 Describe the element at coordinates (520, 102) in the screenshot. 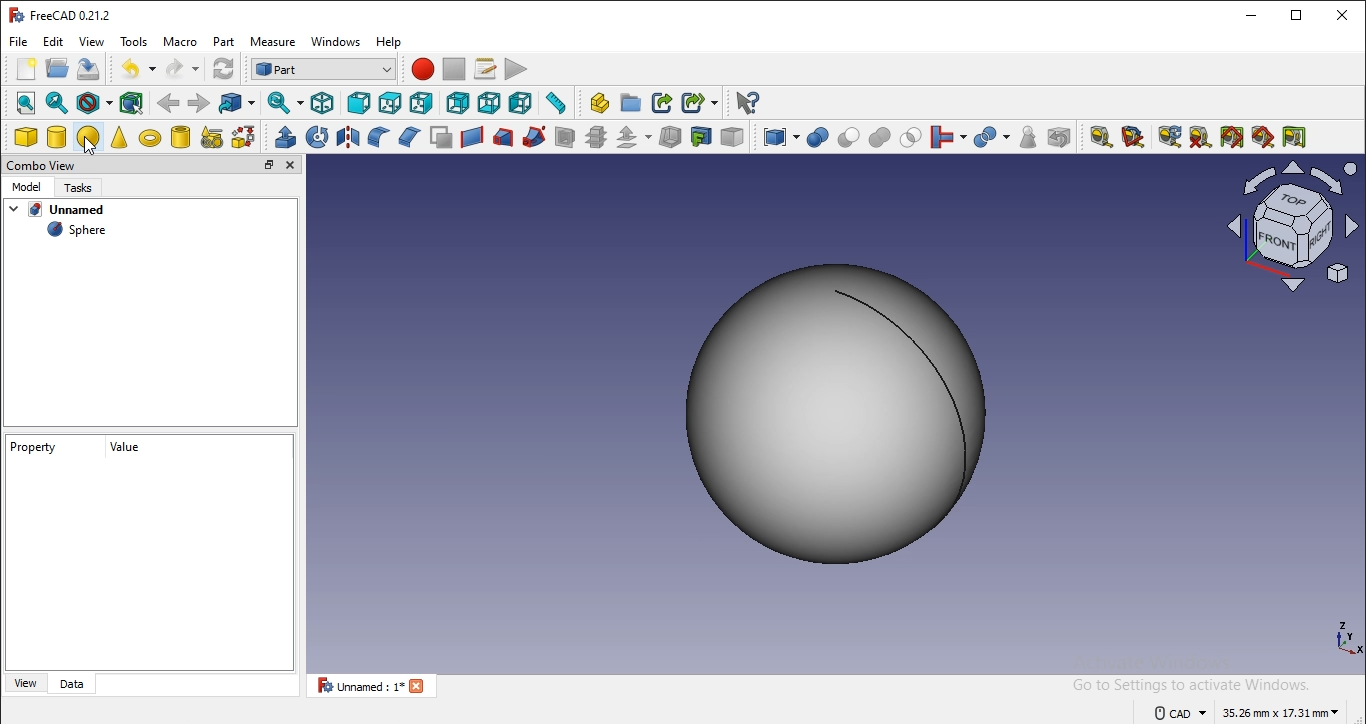

I see `left` at that location.